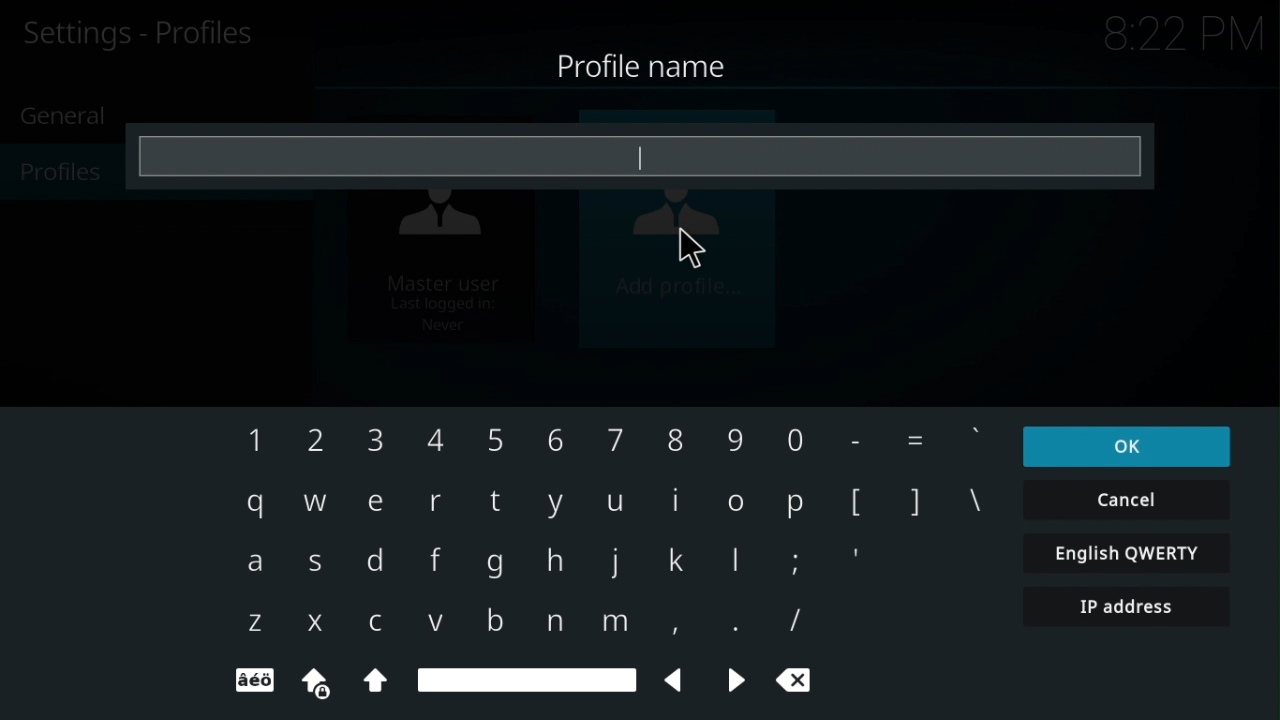 Image resolution: width=1280 pixels, height=720 pixels. Describe the element at coordinates (1128, 552) in the screenshot. I see `english QWERTY` at that location.